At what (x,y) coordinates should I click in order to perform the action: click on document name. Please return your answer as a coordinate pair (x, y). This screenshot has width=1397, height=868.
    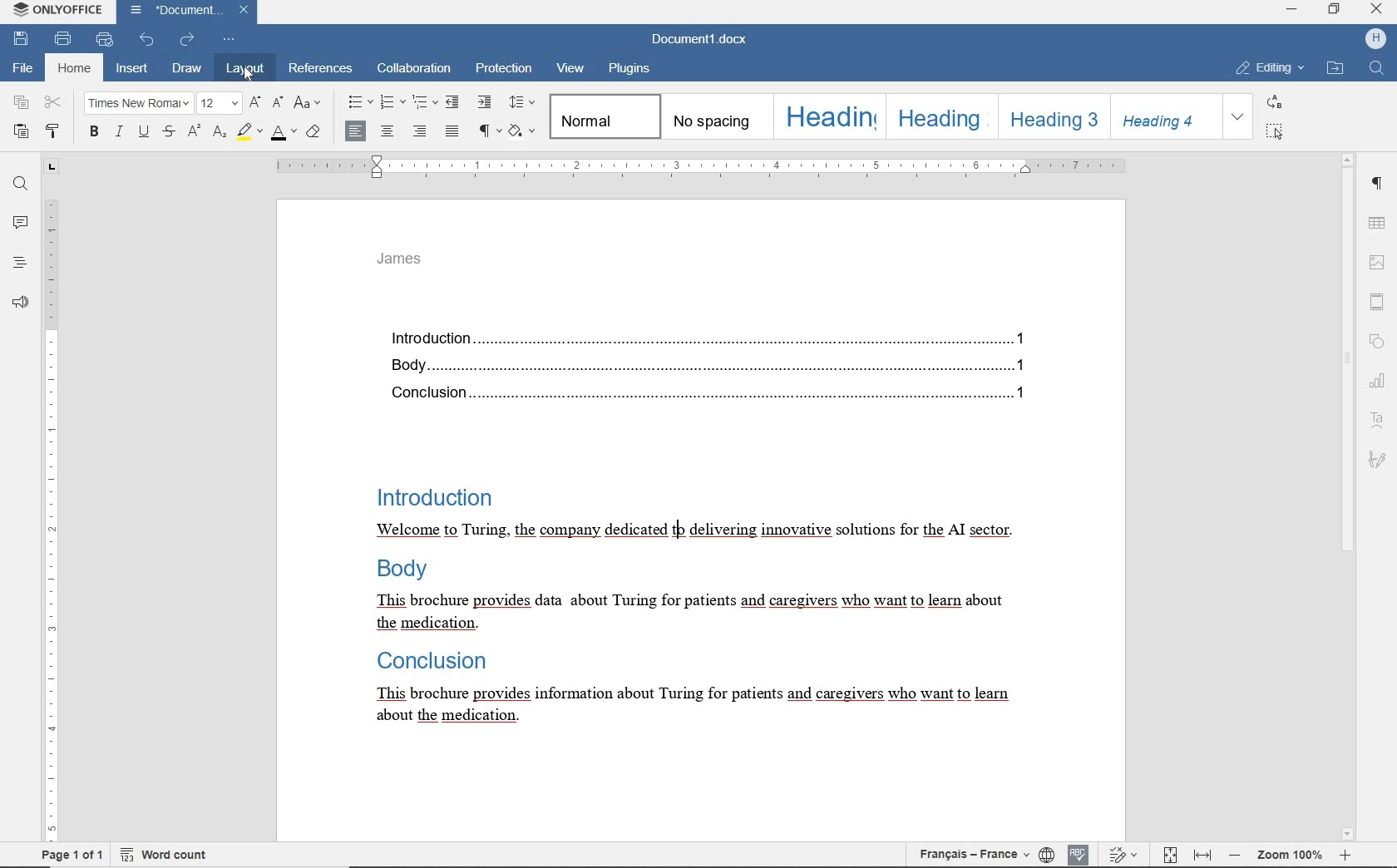
    Looking at the image, I should click on (701, 41).